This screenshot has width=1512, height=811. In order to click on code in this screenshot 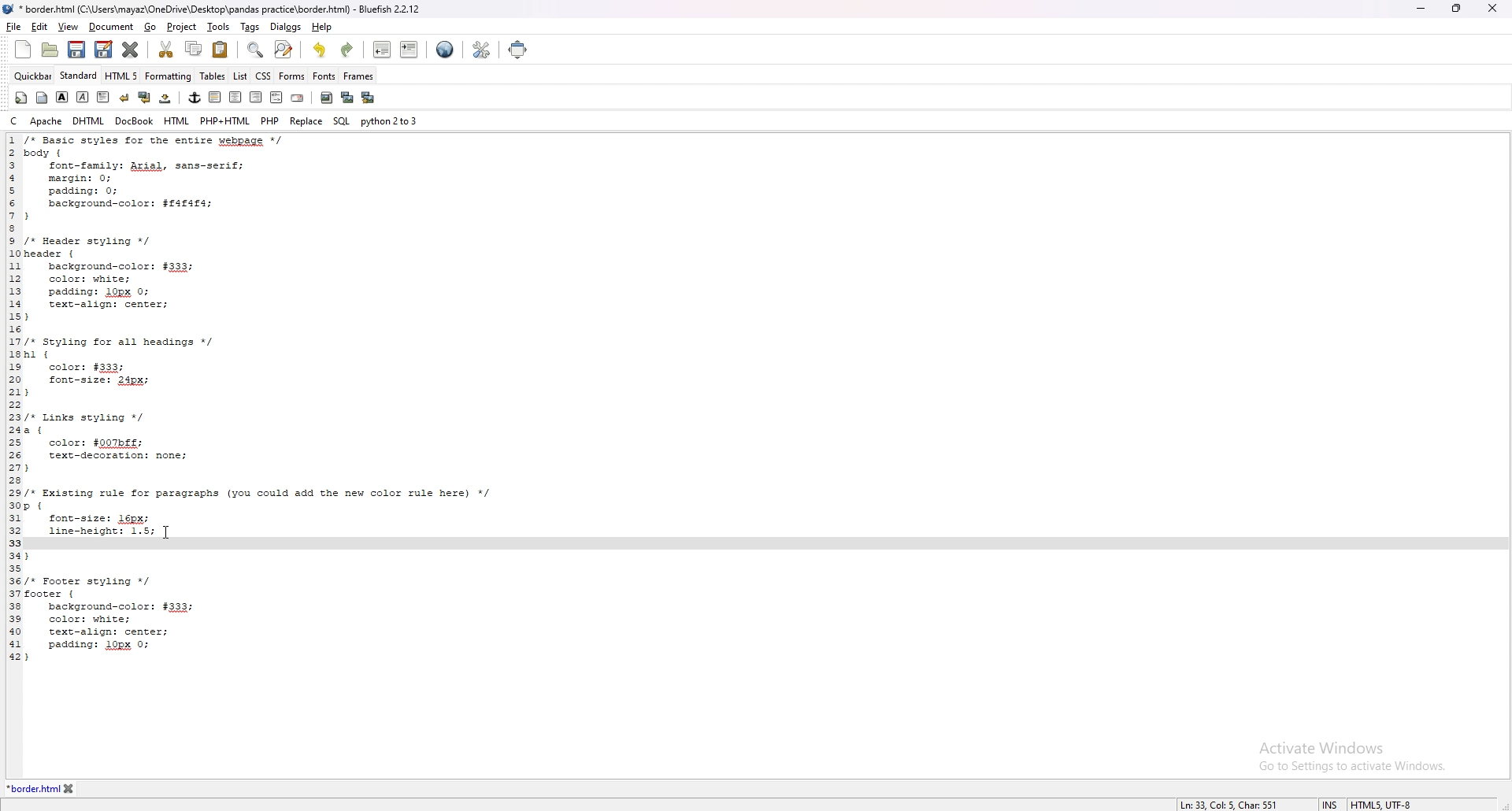, I will do `click(280, 604)`.